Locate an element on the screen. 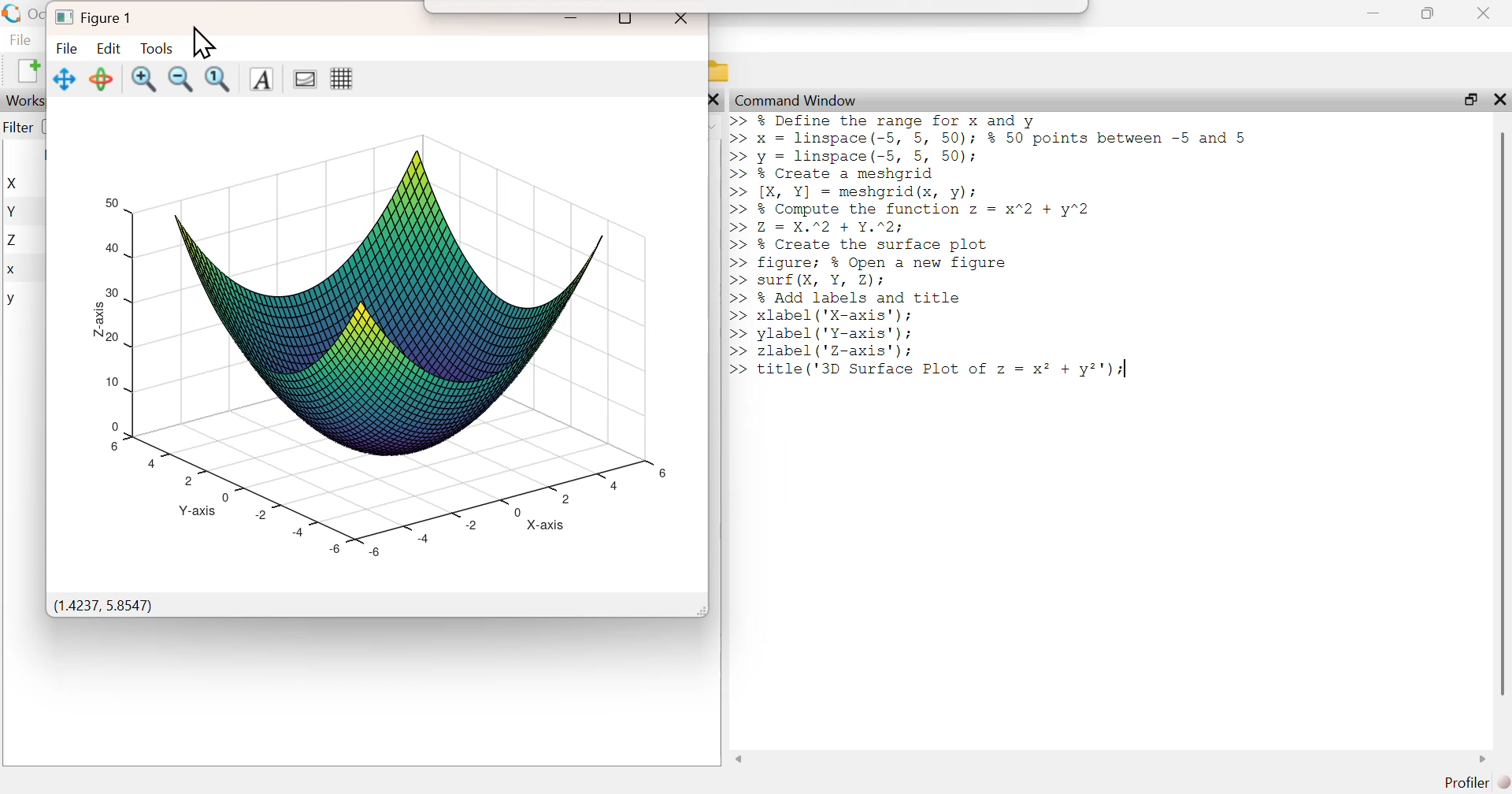 The image size is (1512, 794). Figure 1 is located at coordinates (98, 17).